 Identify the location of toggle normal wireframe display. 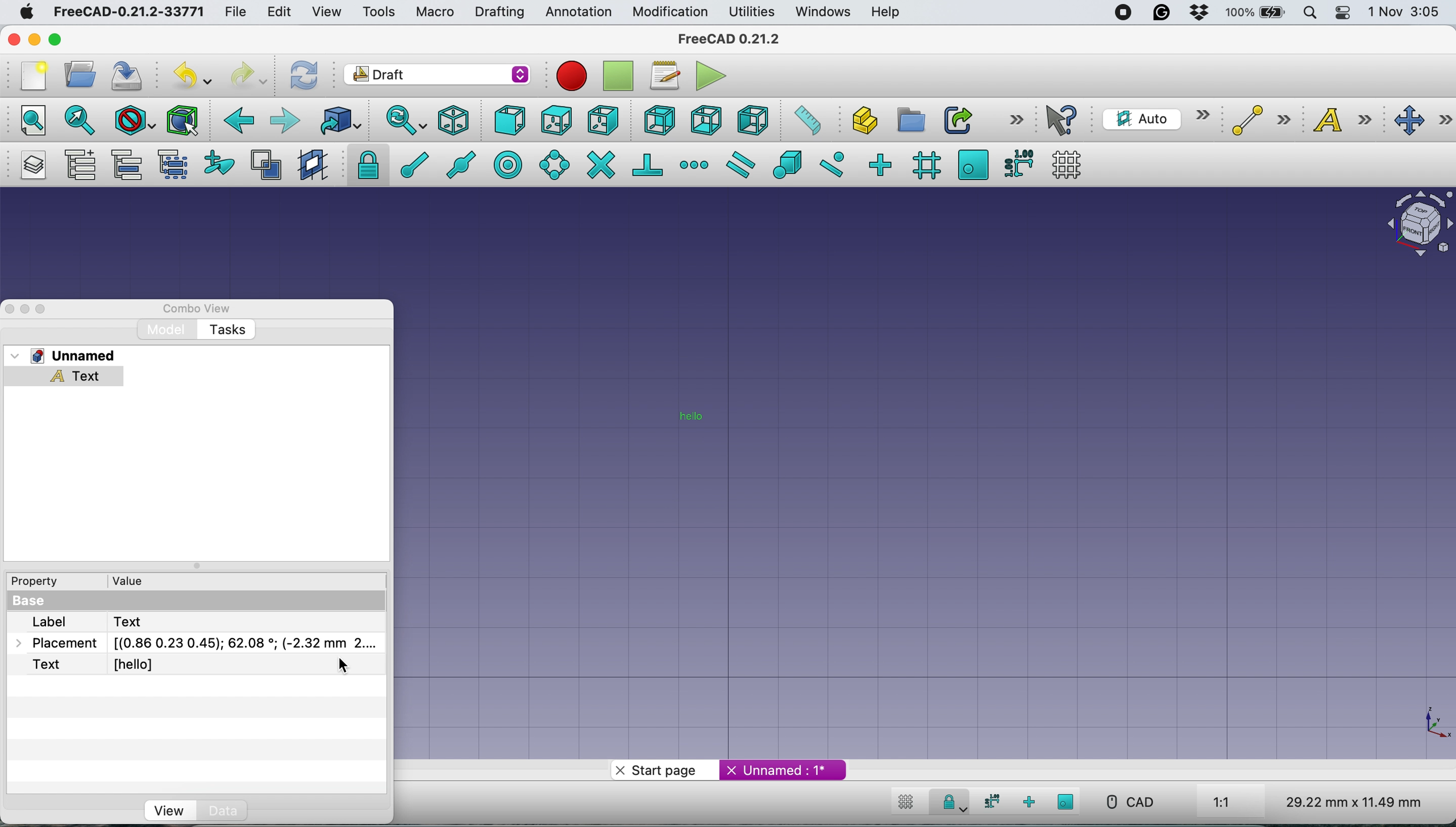
(265, 164).